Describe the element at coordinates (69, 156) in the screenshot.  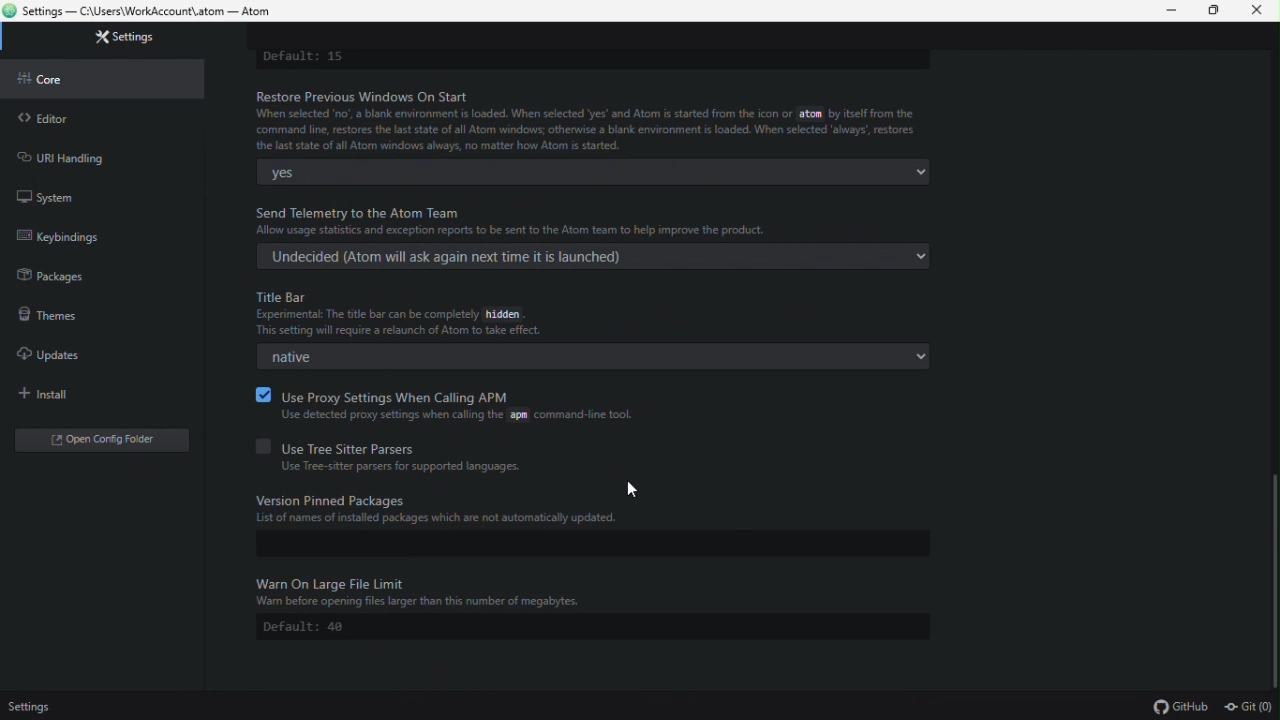
I see `URL handling` at that location.